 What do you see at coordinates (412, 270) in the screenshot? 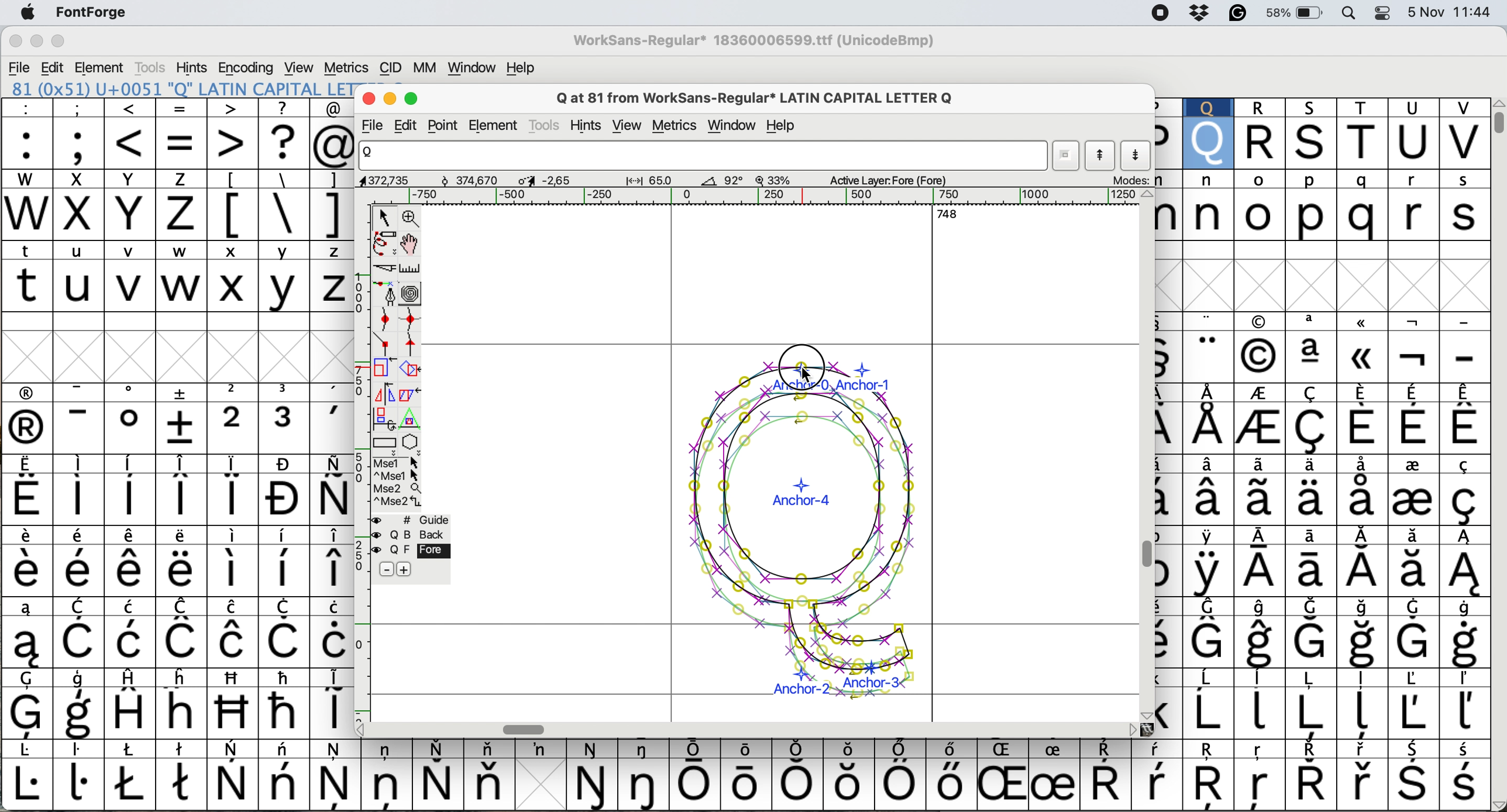
I see `measure distance` at bounding box center [412, 270].